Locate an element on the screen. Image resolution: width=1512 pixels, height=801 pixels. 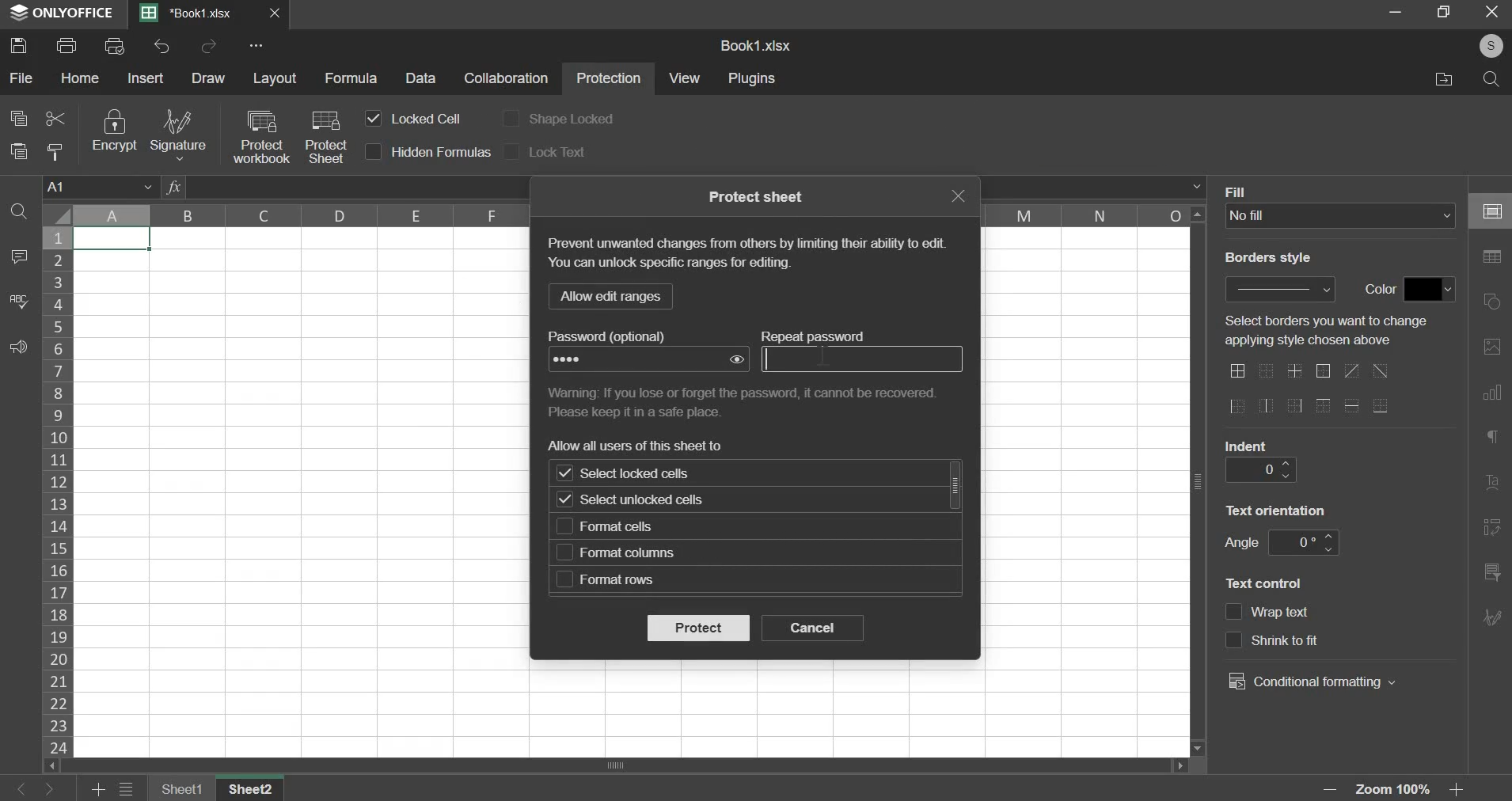
text control is located at coordinates (1267, 582).